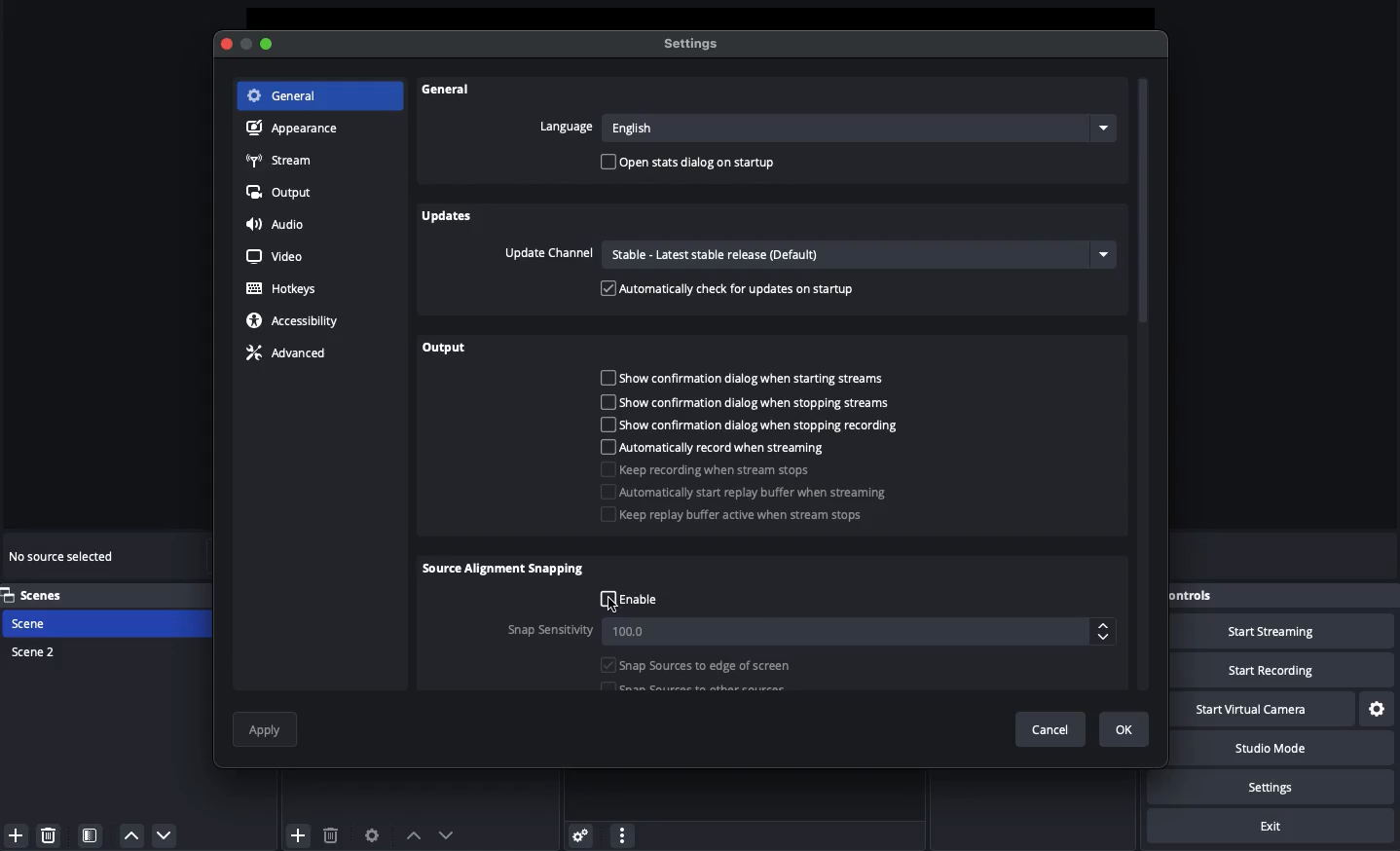 This screenshot has height=851, width=1400. Describe the element at coordinates (283, 289) in the screenshot. I see `Hotkeys` at that location.